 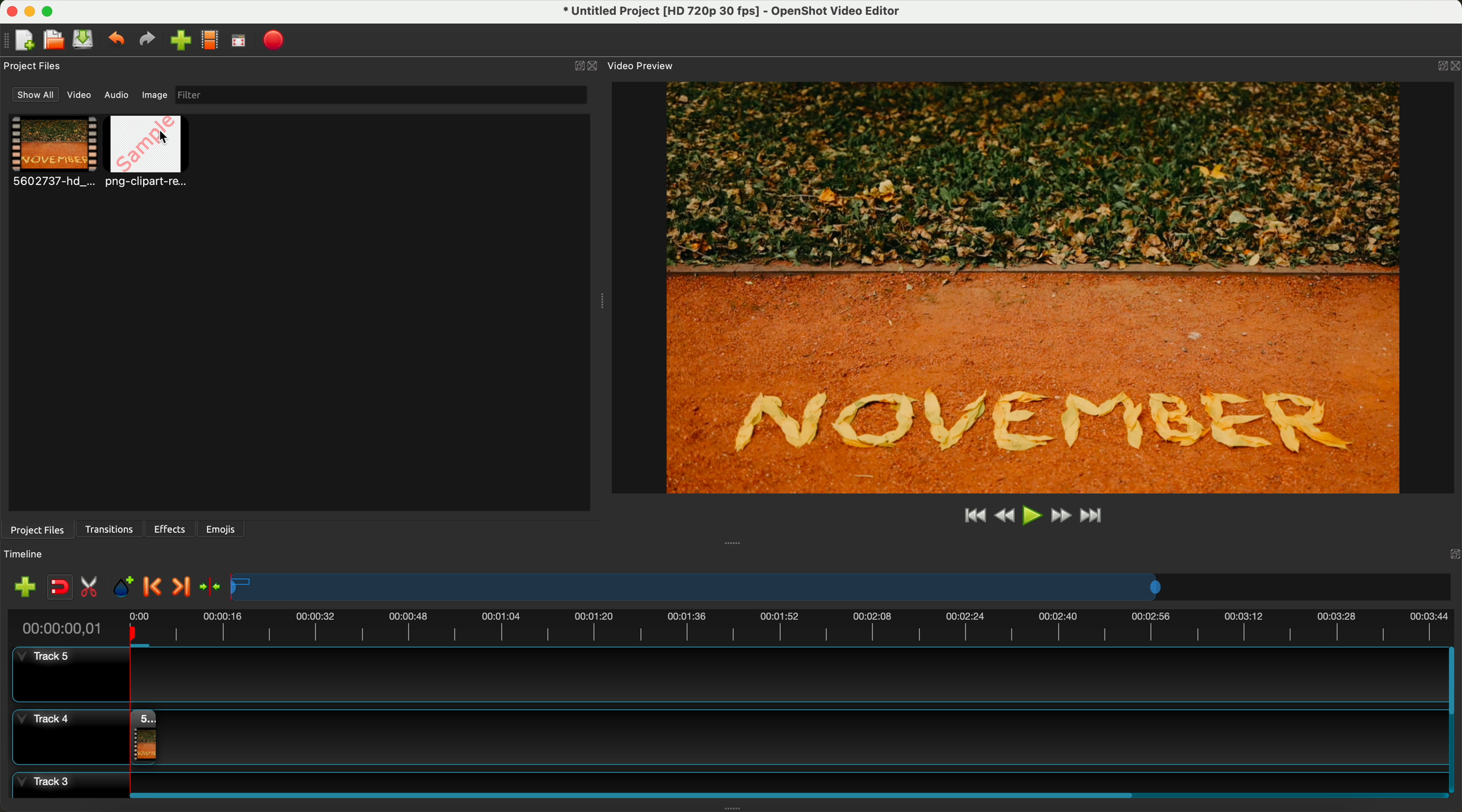 What do you see at coordinates (724, 780) in the screenshot?
I see `track 3` at bounding box center [724, 780].